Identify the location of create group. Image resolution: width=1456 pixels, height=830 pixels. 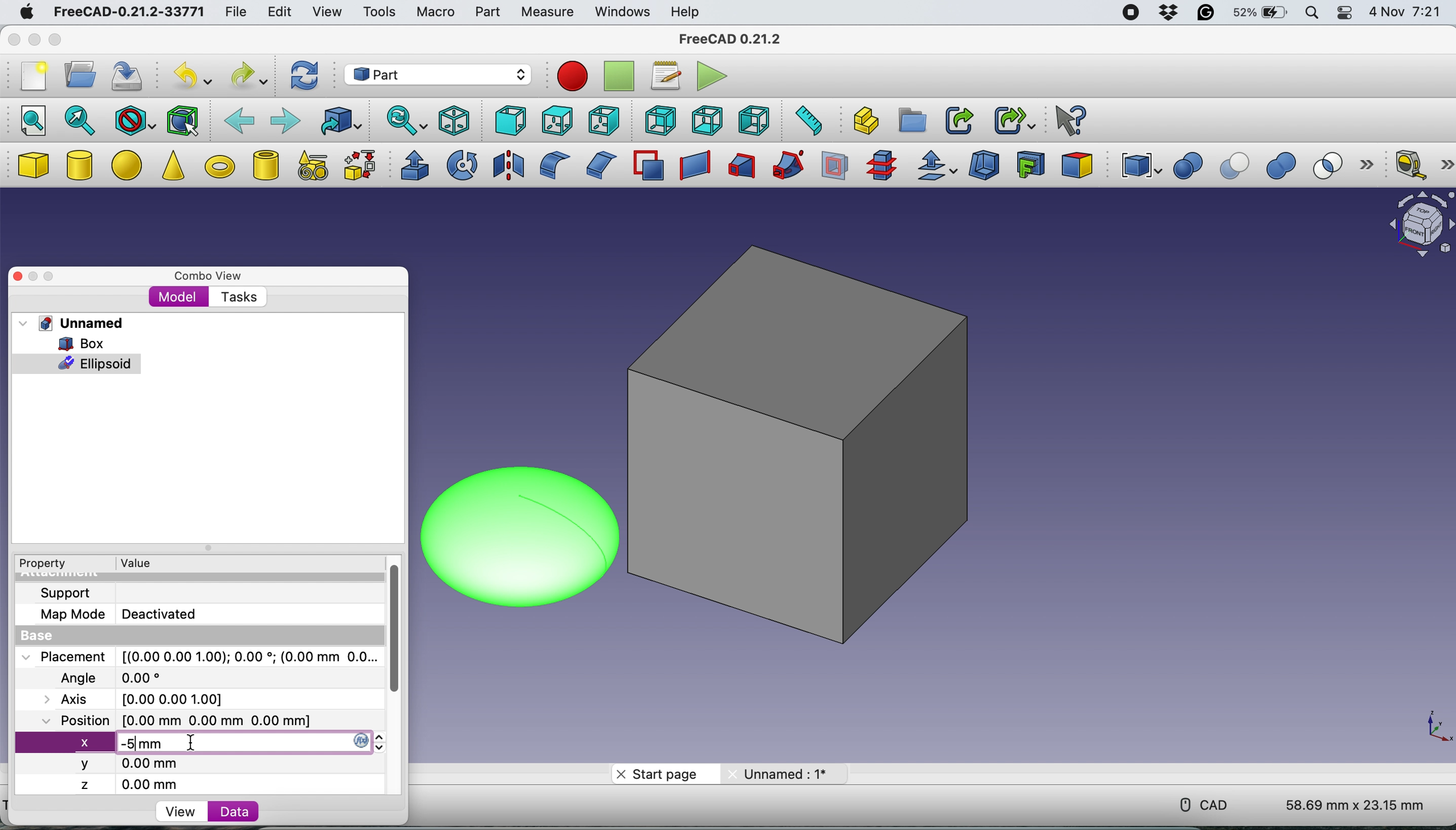
(913, 120).